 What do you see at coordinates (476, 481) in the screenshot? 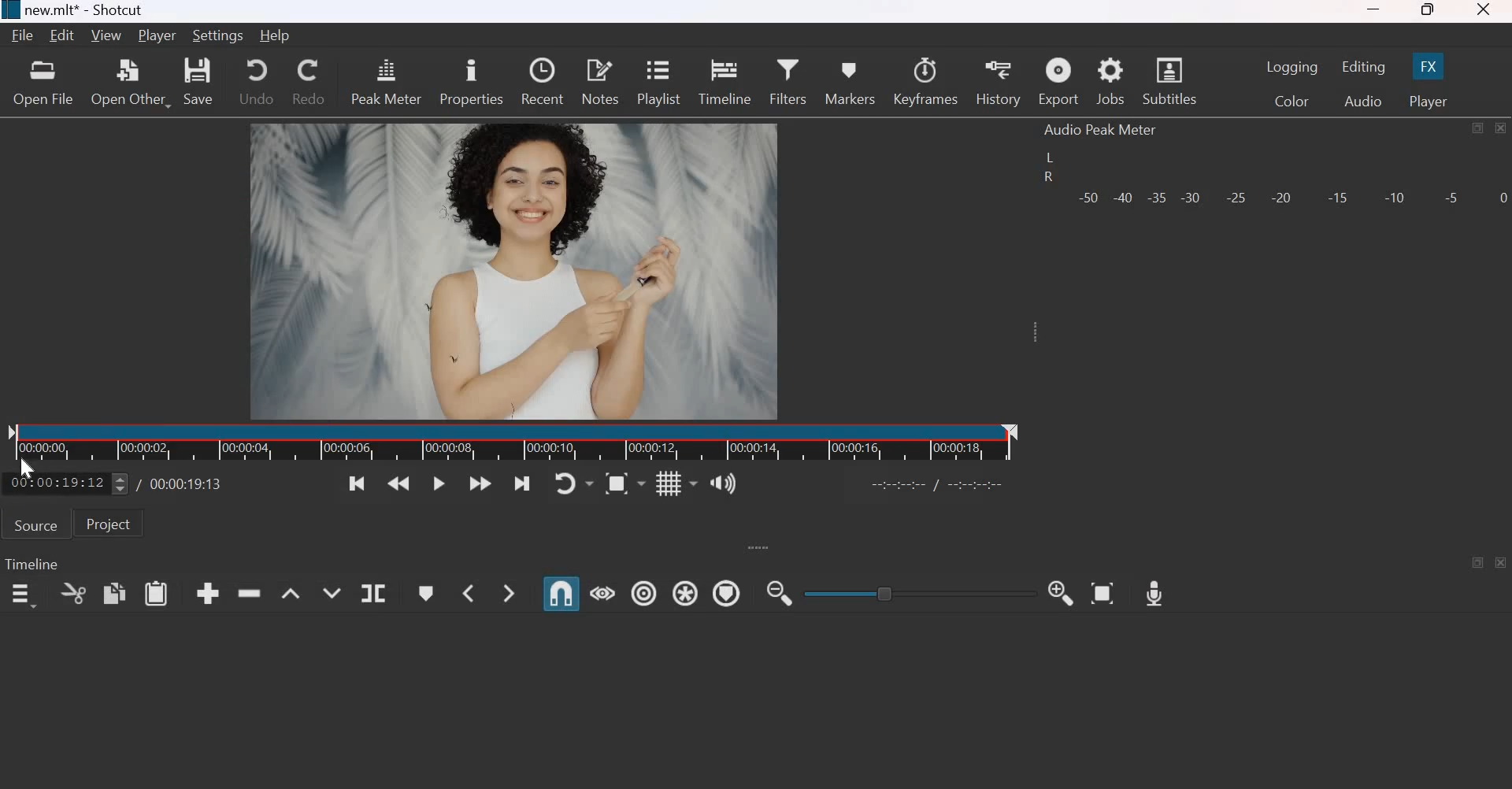
I see `Play quickly forwards` at bounding box center [476, 481].